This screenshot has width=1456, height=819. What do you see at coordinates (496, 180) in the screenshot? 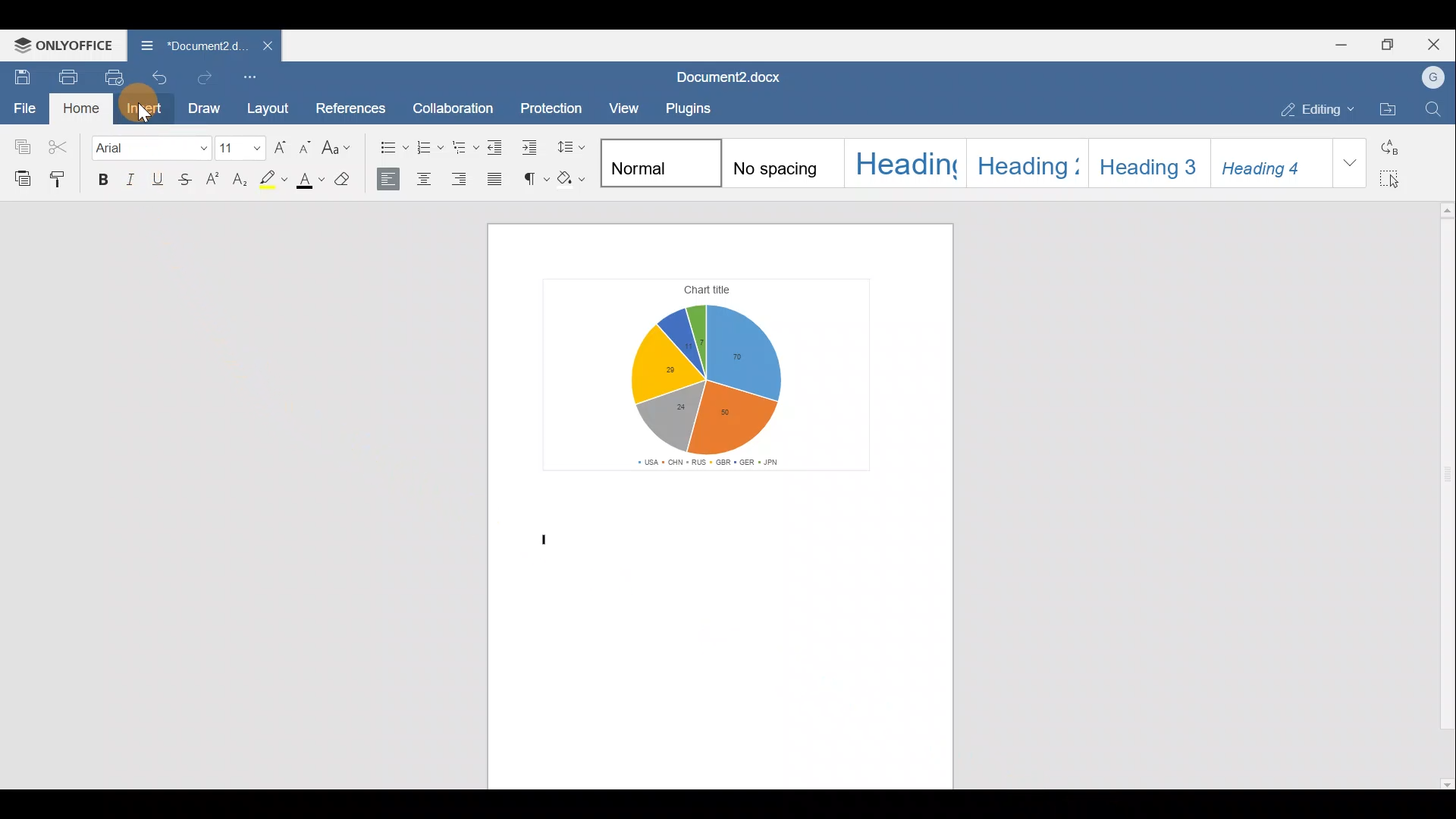
I see `Justified` at bounding box center [496, 180].